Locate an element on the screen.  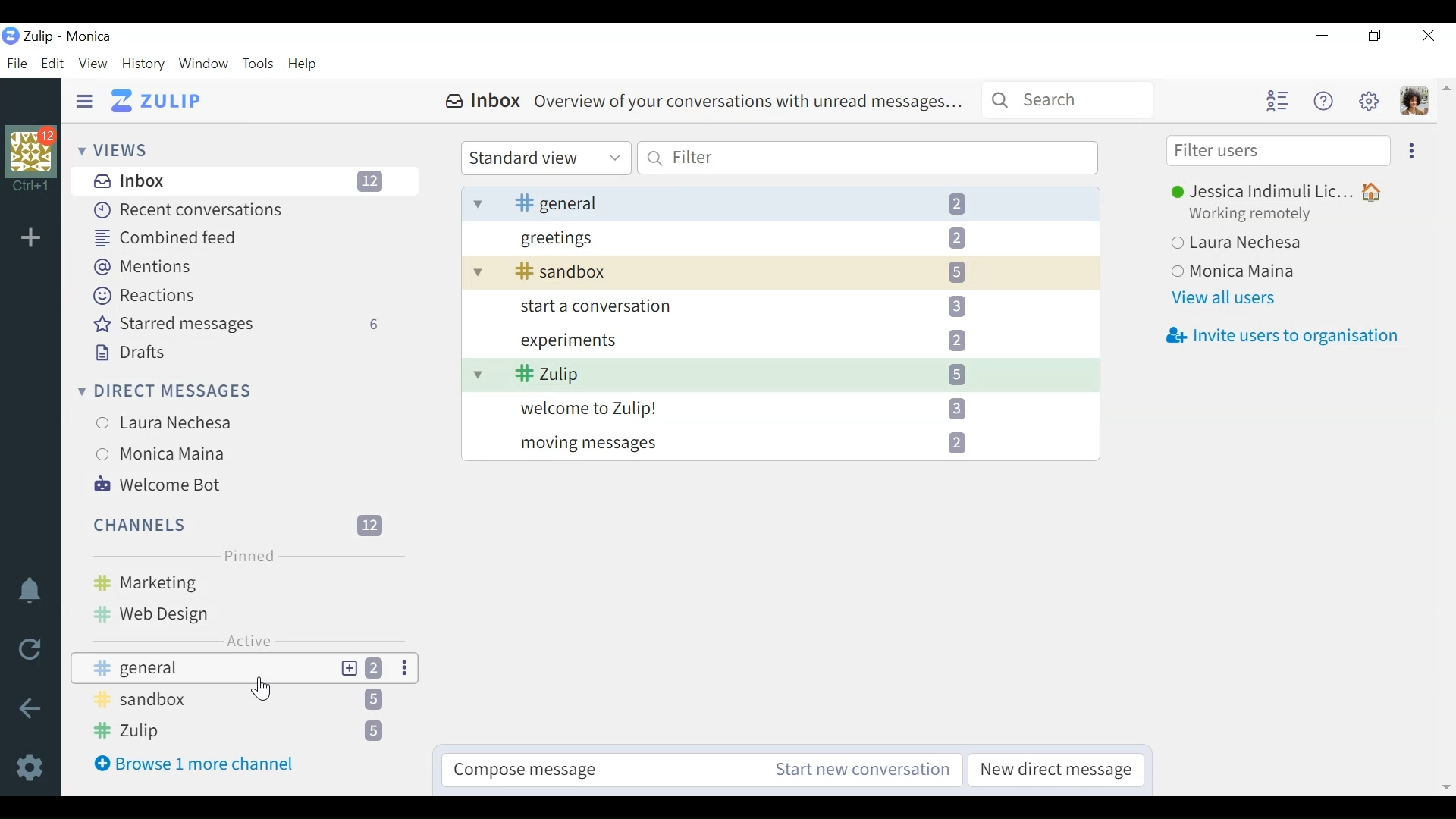
user list is located at coordinates (1276, 101).